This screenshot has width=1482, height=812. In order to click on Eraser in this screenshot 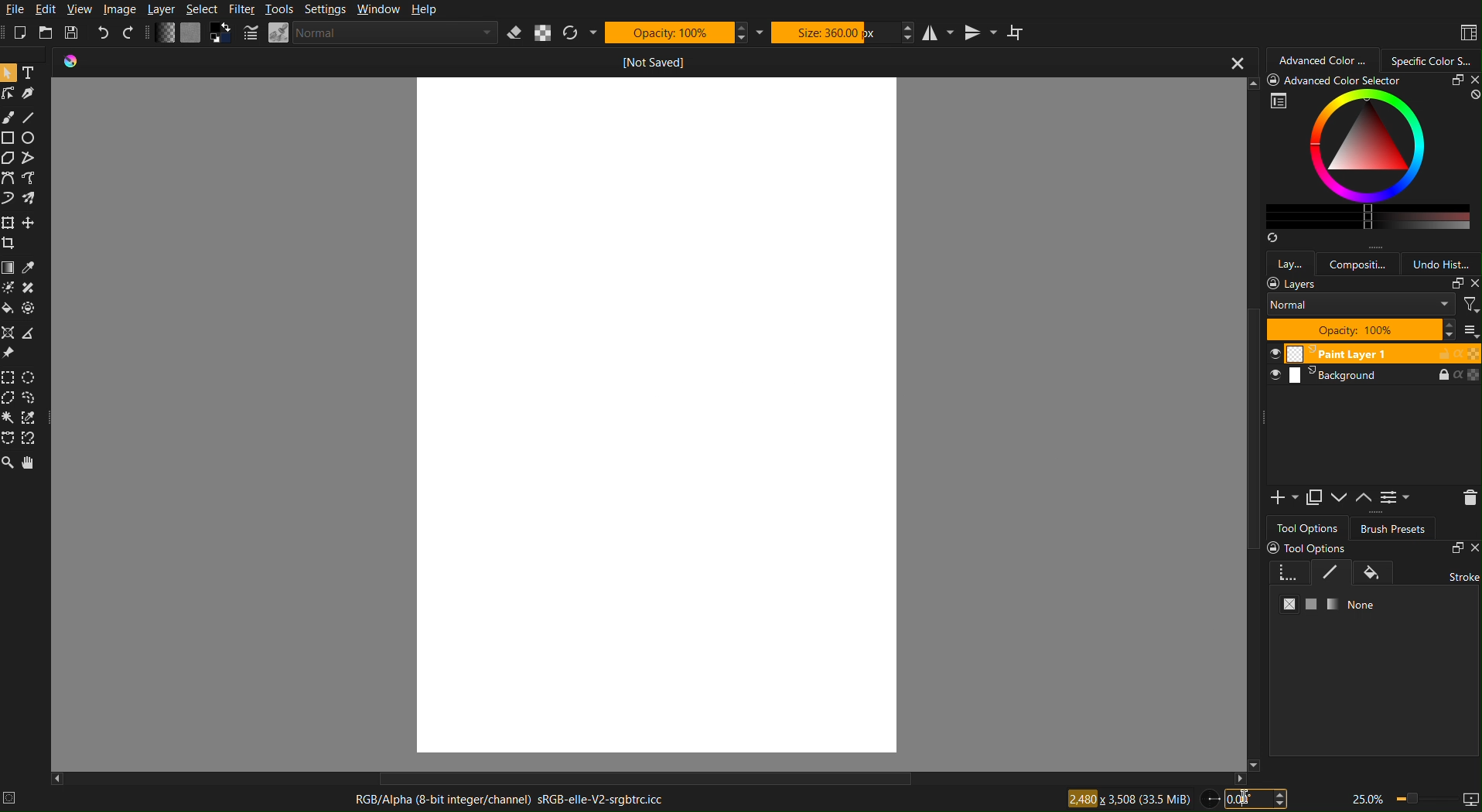, I will do `click(516, 32)`.